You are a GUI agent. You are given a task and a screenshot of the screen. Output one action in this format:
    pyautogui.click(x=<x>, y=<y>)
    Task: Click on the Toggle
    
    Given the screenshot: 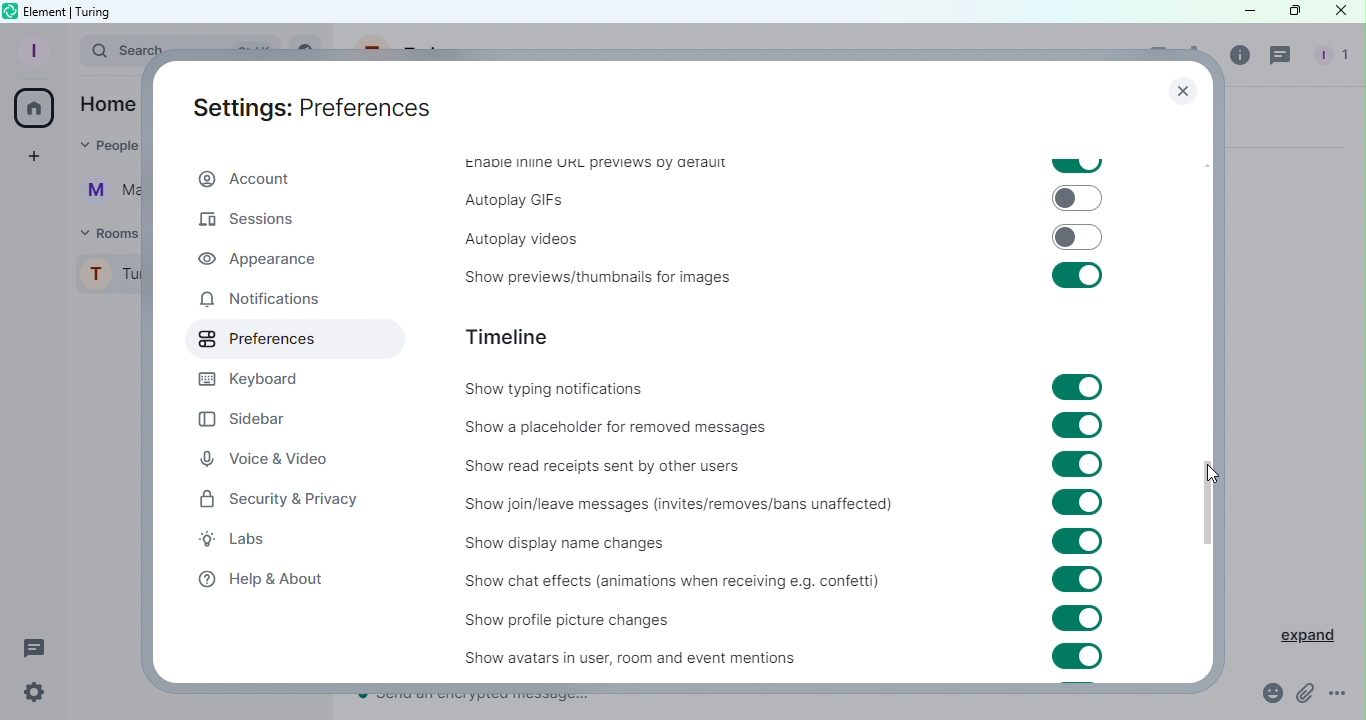 What is the action you would take?
    pyautogui.click(x=1078, y=199)
    